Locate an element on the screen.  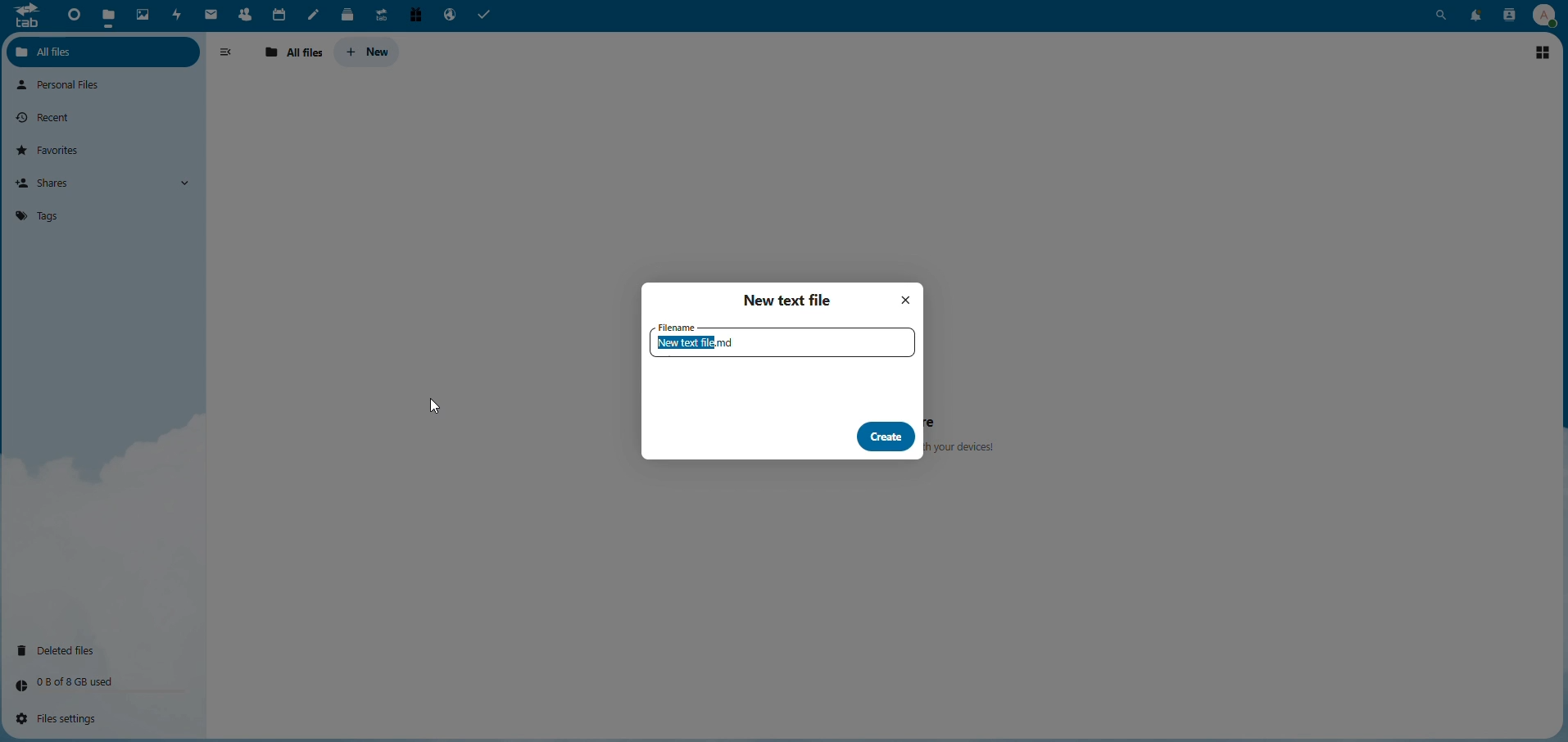
Deck is located at coordinates (344, 14).